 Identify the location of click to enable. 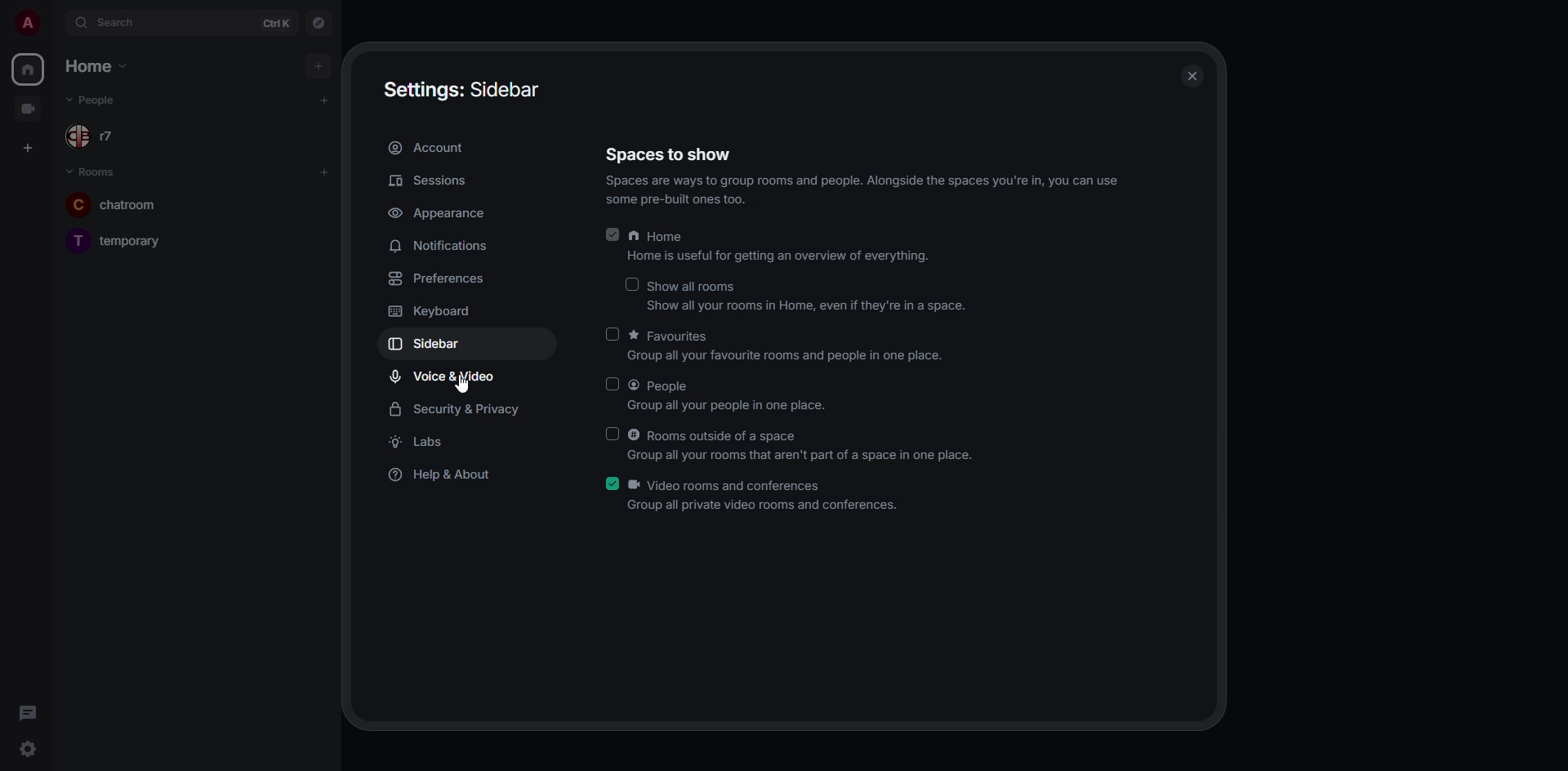
(611, 385).